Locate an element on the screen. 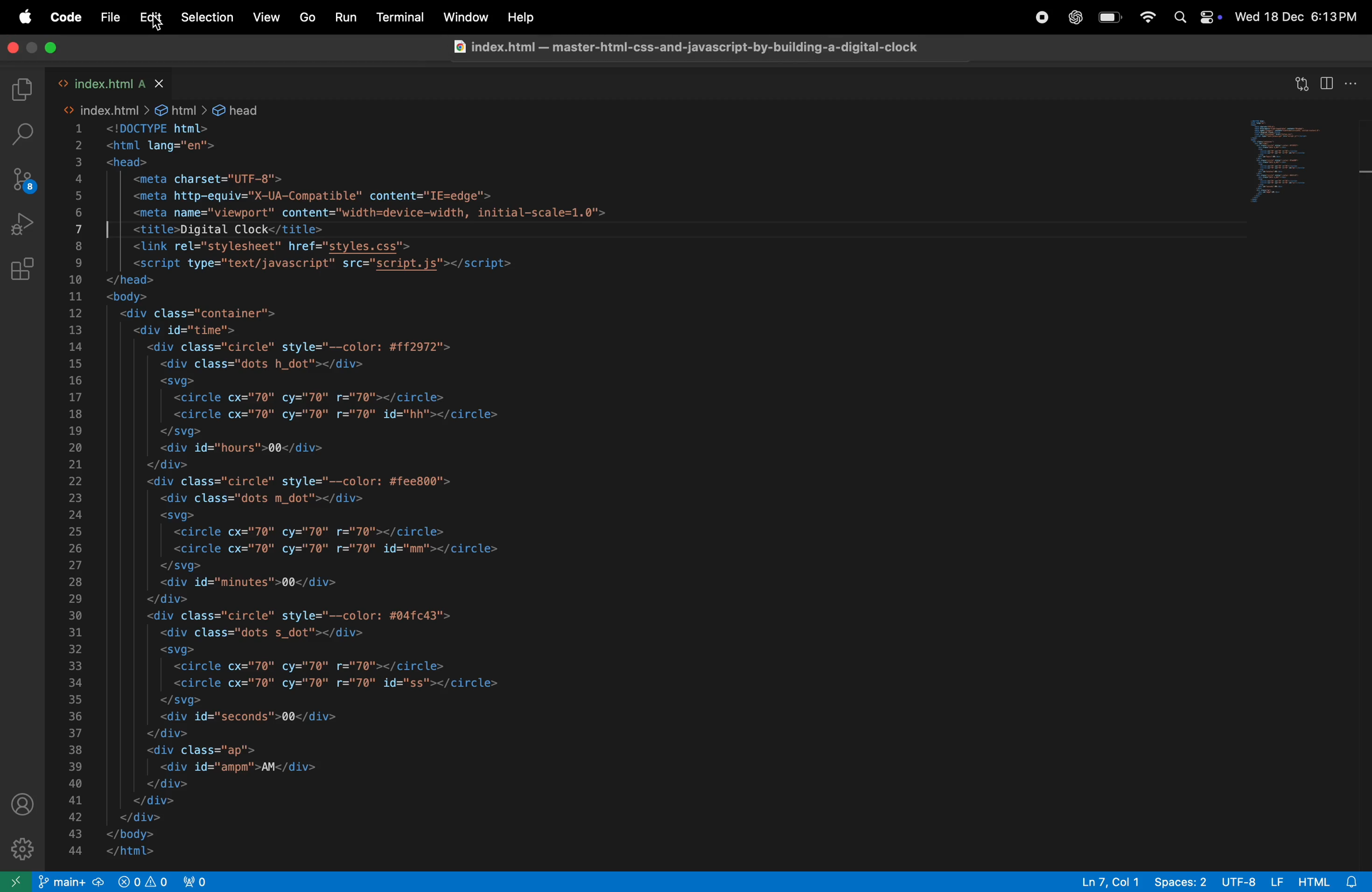 This screenshot has width=1372, height=892. utf -8 is located at coordinates (1252, 880).